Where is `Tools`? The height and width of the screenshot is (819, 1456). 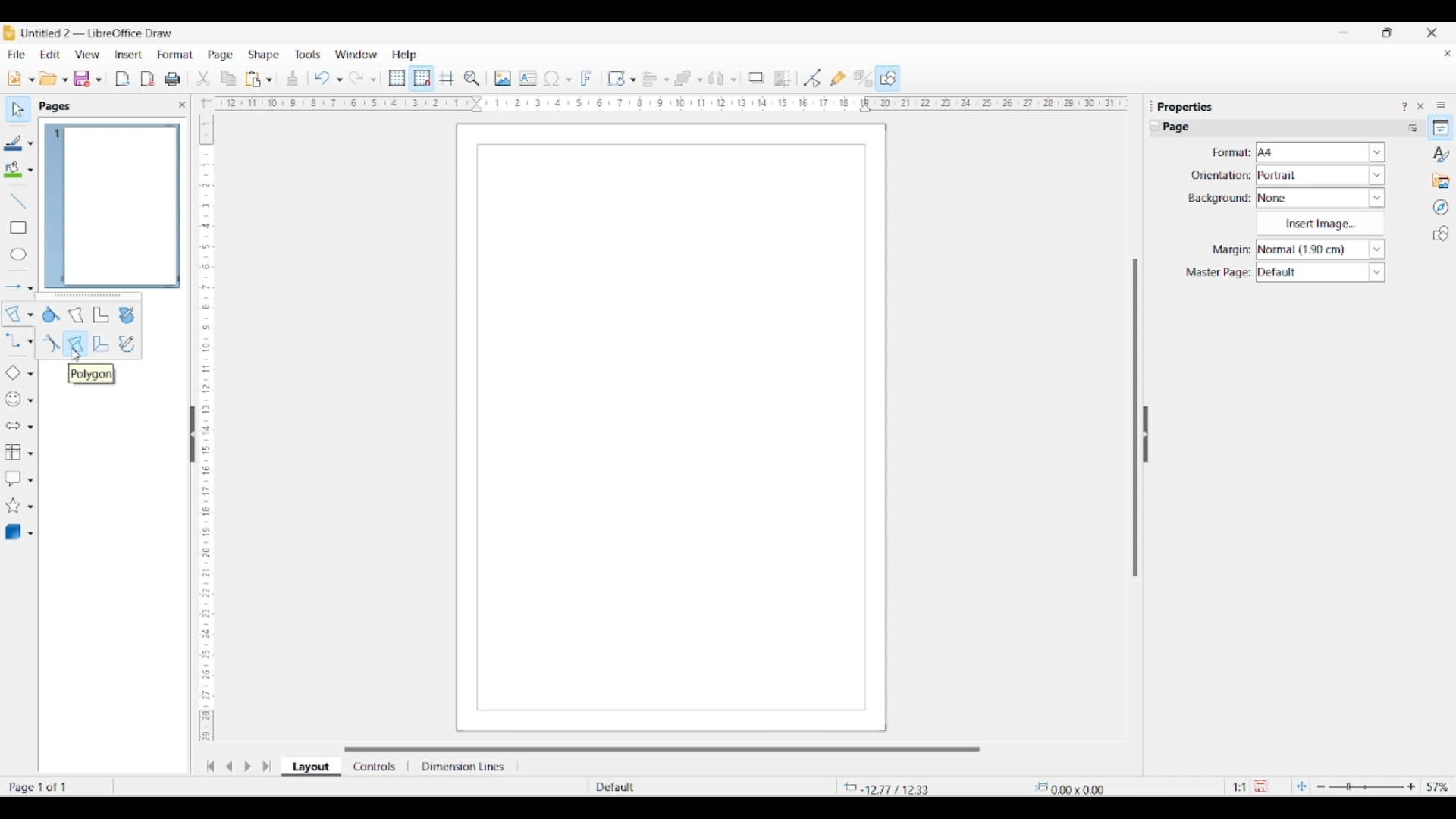
Tools is located at coordinates (308, 54).